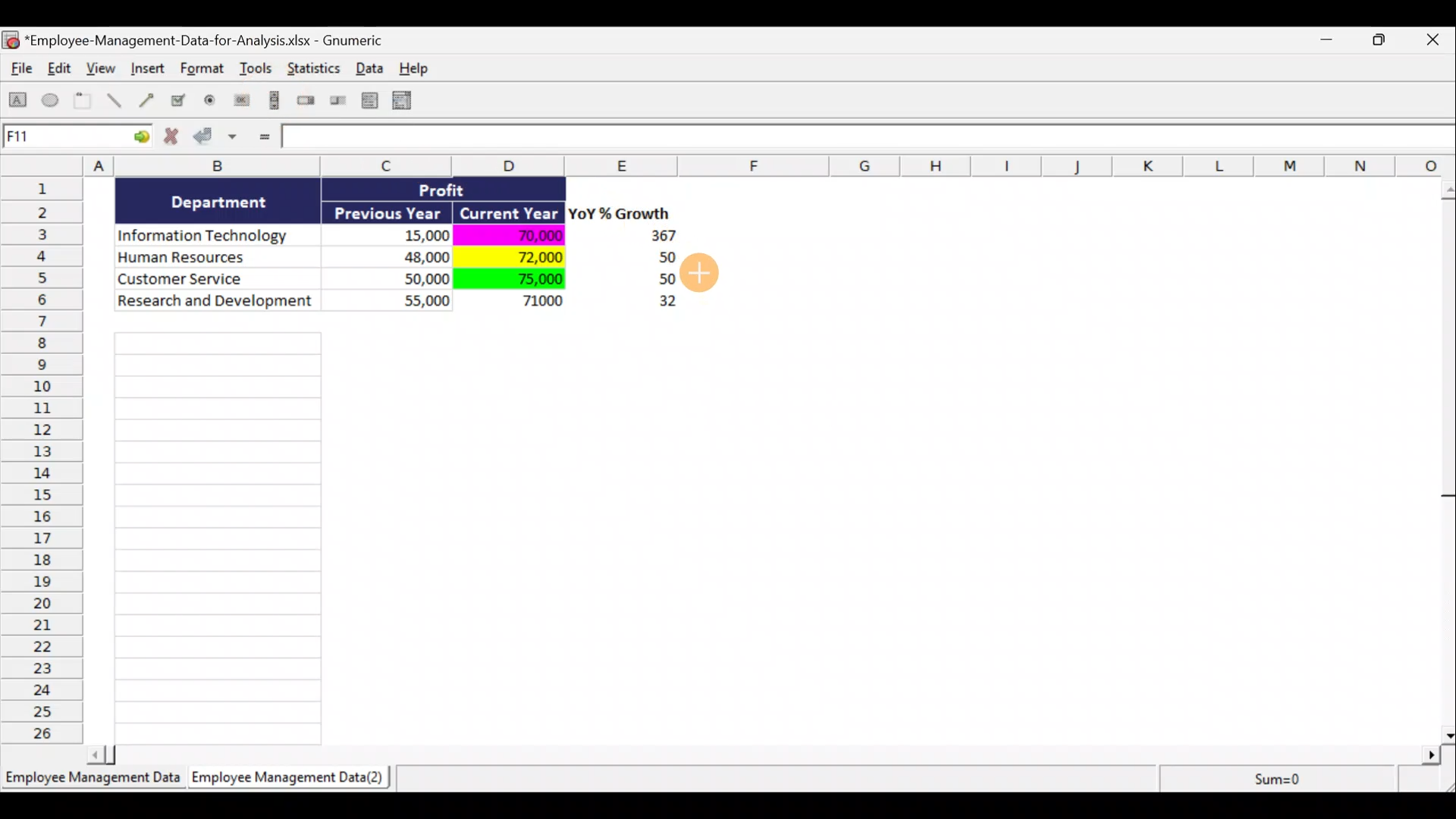  What do you see at coordinates (374, 67) in the screenshot?
I see `Data` at bounding box center [374, 67].